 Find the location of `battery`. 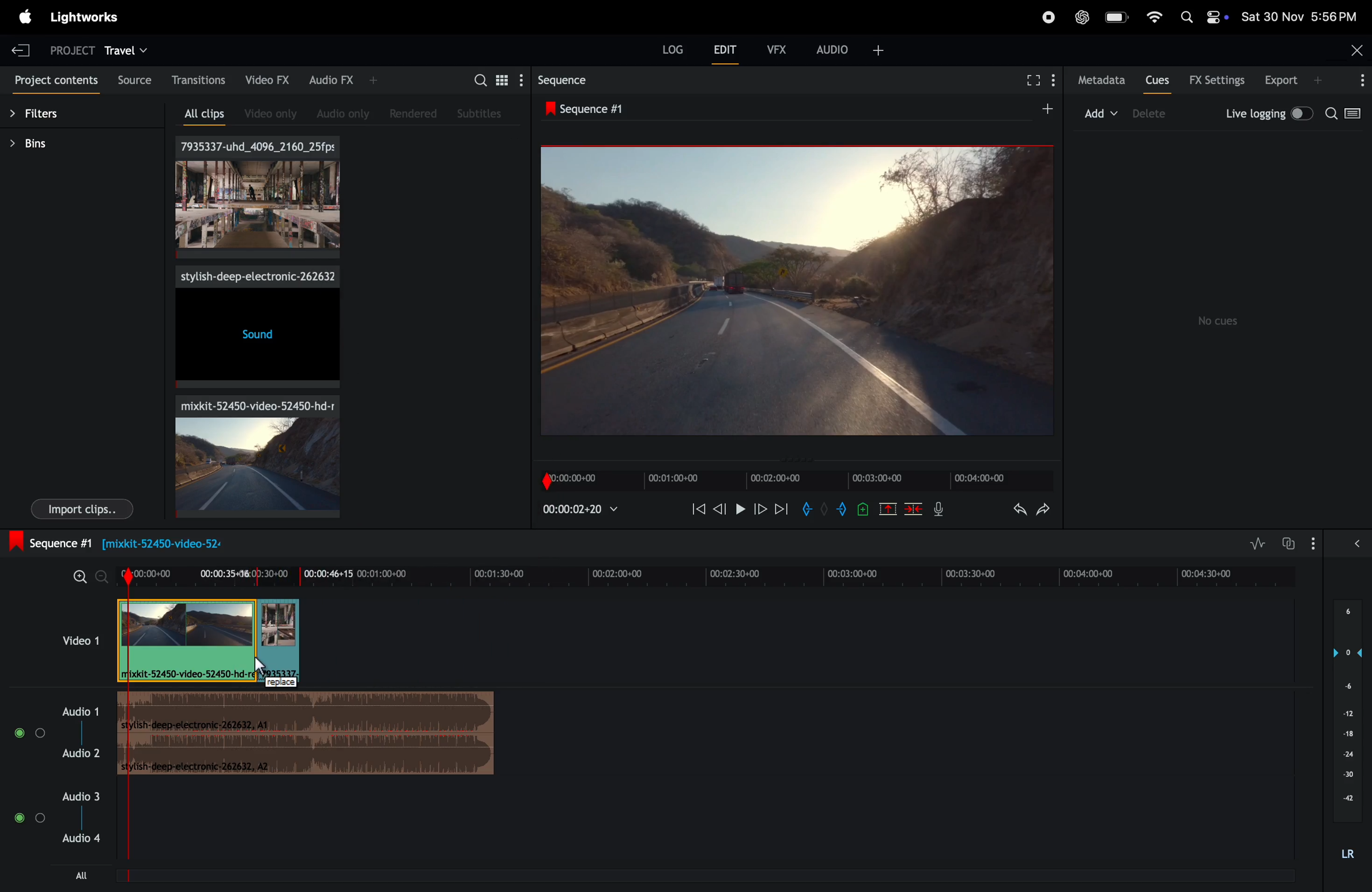

battery is located at coordinates (1118, 18).